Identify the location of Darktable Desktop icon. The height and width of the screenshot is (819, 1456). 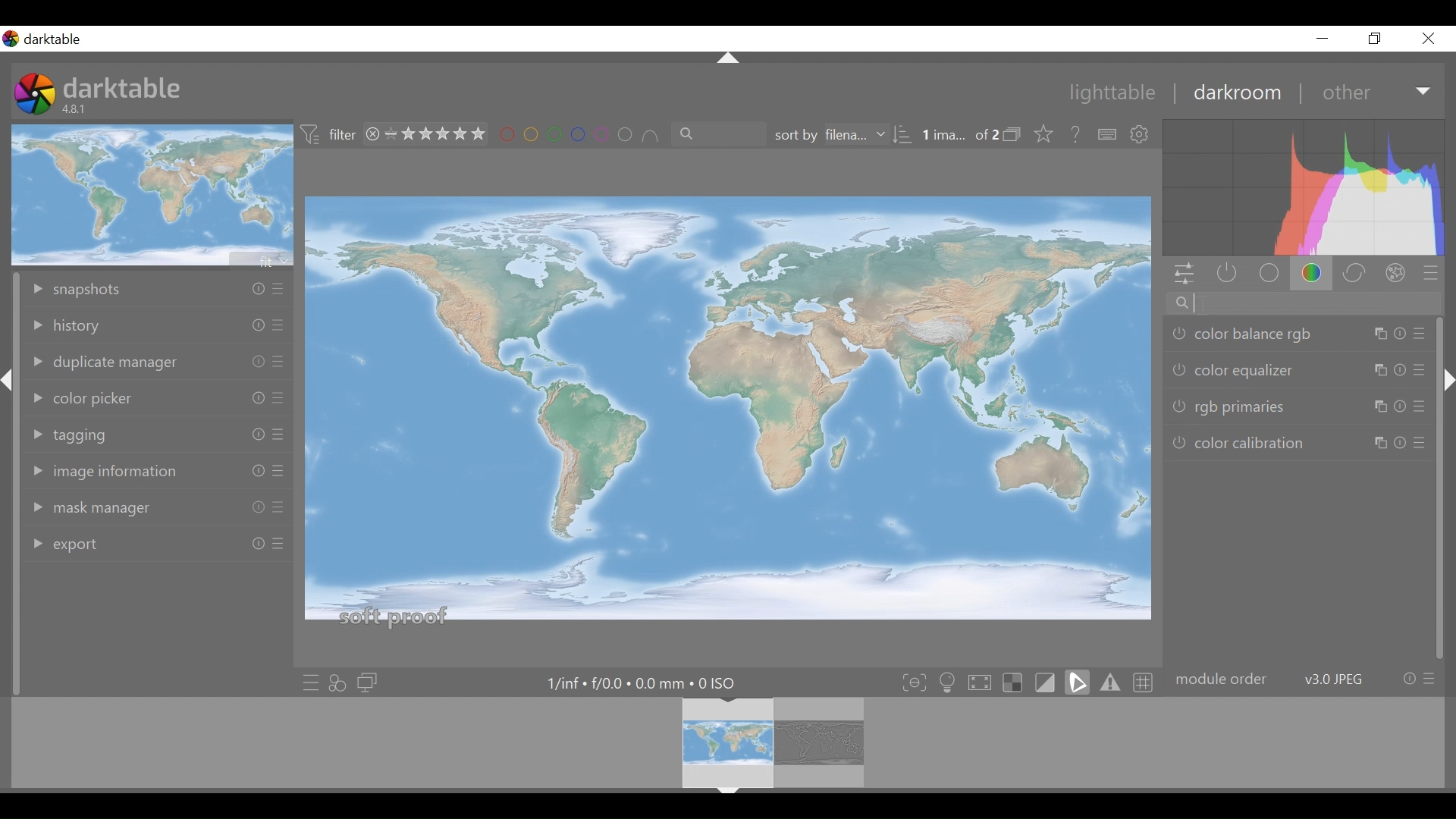
(34, 93).